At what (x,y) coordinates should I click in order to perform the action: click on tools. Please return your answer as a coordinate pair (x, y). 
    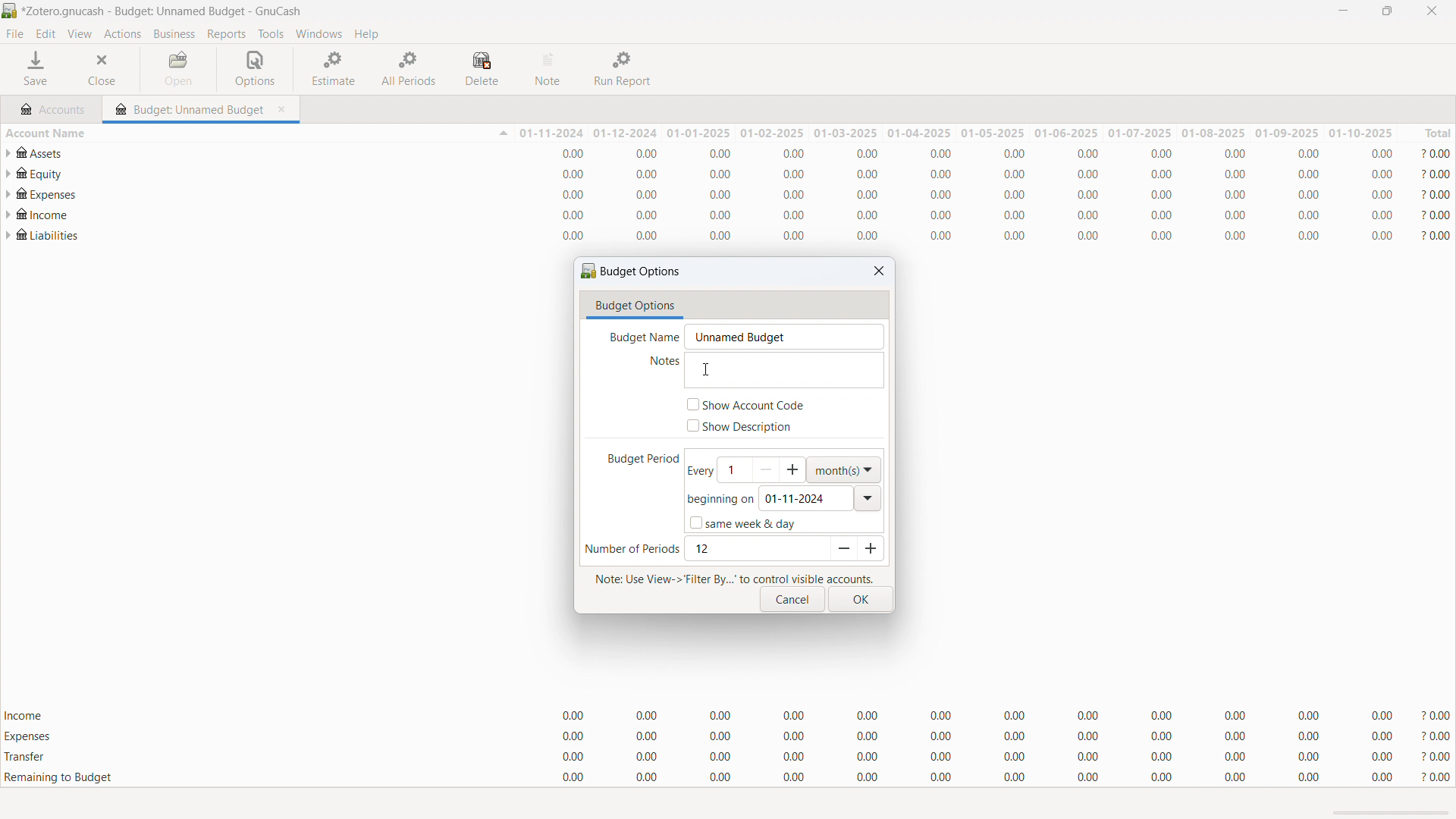
    Looking at the image, I should click on (271, 33).